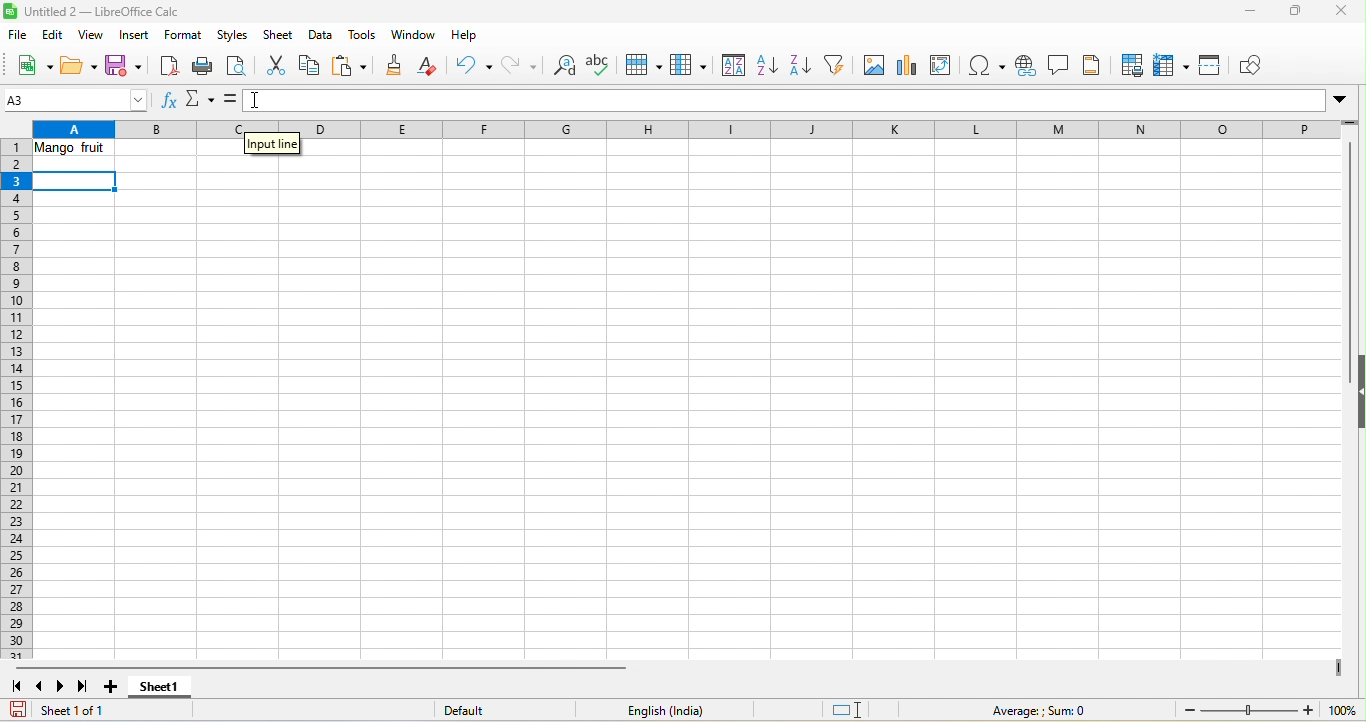 This screenshot has height=722, width=1366. I want to click on spelling, so click(602, 64).